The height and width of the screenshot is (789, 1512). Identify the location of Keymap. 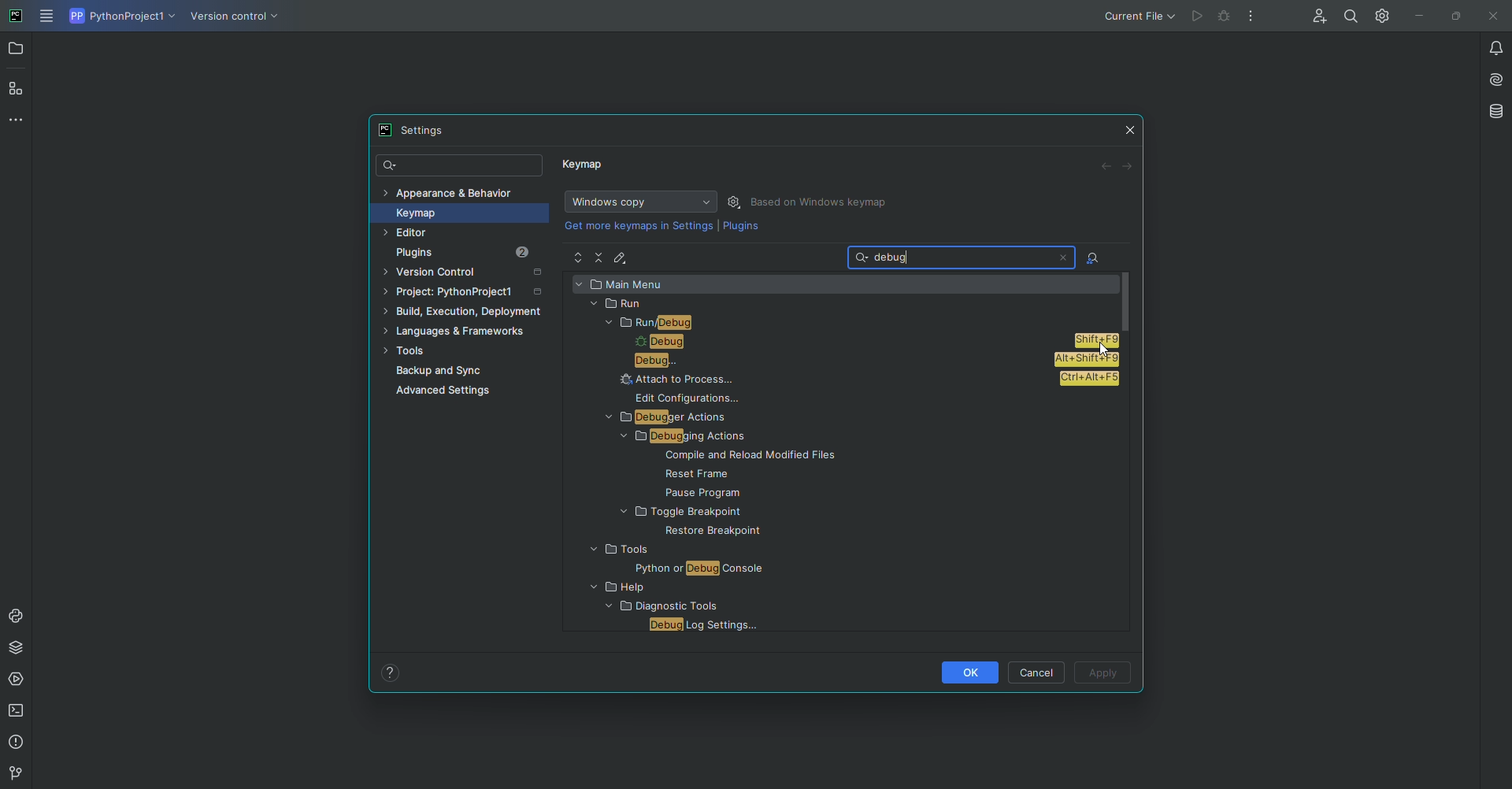
(454, 213).